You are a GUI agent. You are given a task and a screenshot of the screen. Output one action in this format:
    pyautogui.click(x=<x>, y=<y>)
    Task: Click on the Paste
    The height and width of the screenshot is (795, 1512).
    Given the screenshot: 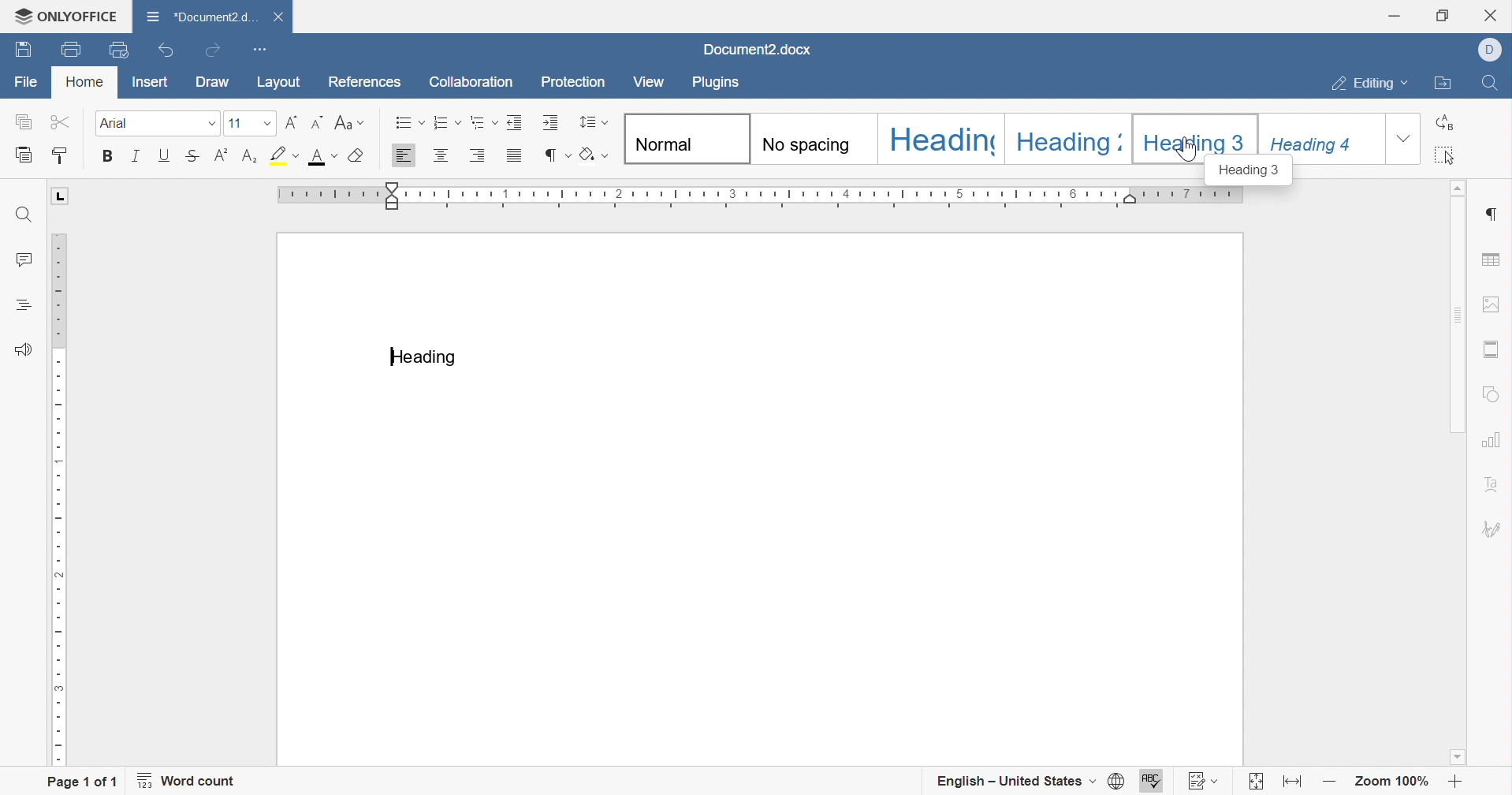 What is the action you would take?
    pyautogui.click(x=20, y=155)
    